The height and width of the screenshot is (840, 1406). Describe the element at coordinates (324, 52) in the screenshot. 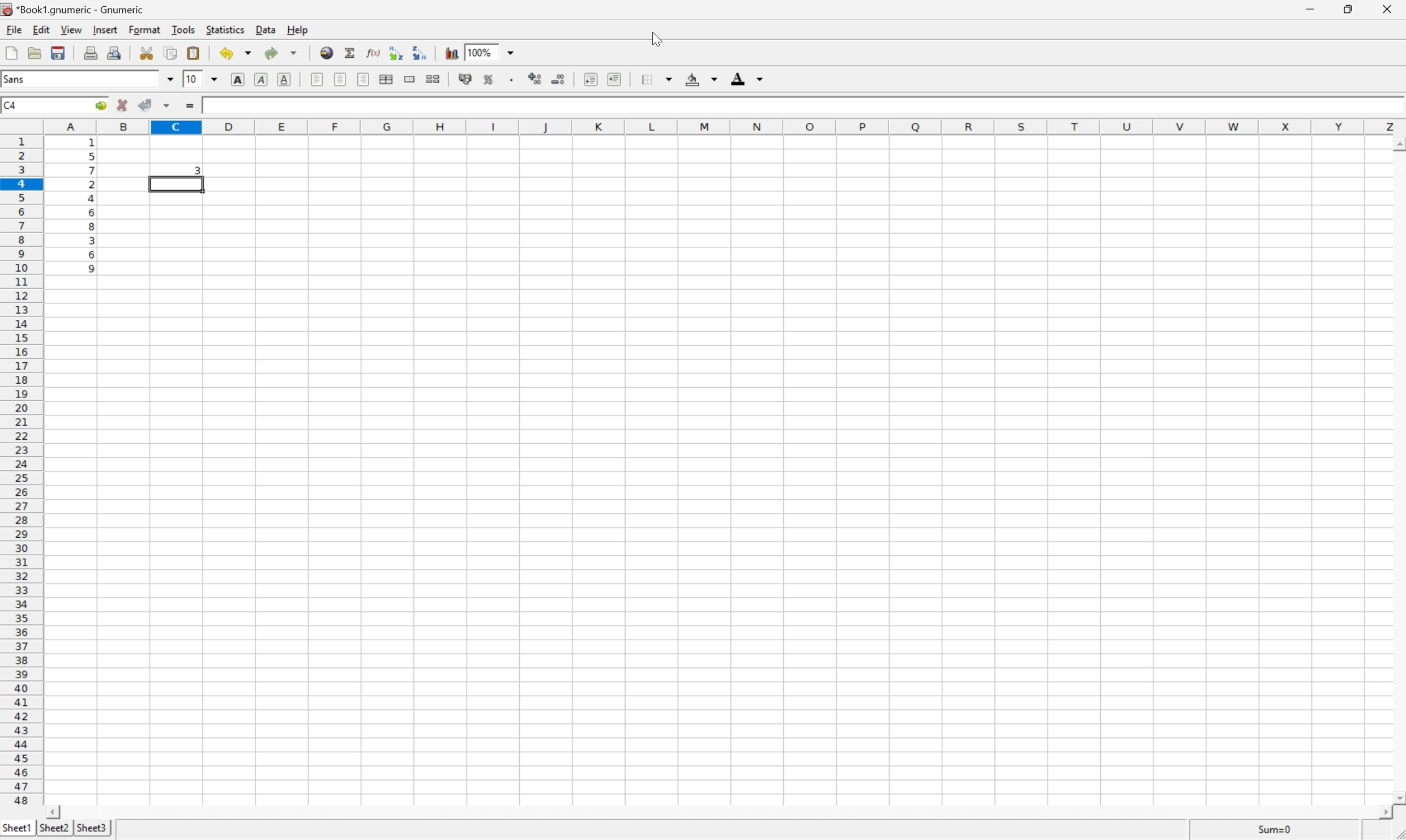

I see `insert hyperlink` at that location.